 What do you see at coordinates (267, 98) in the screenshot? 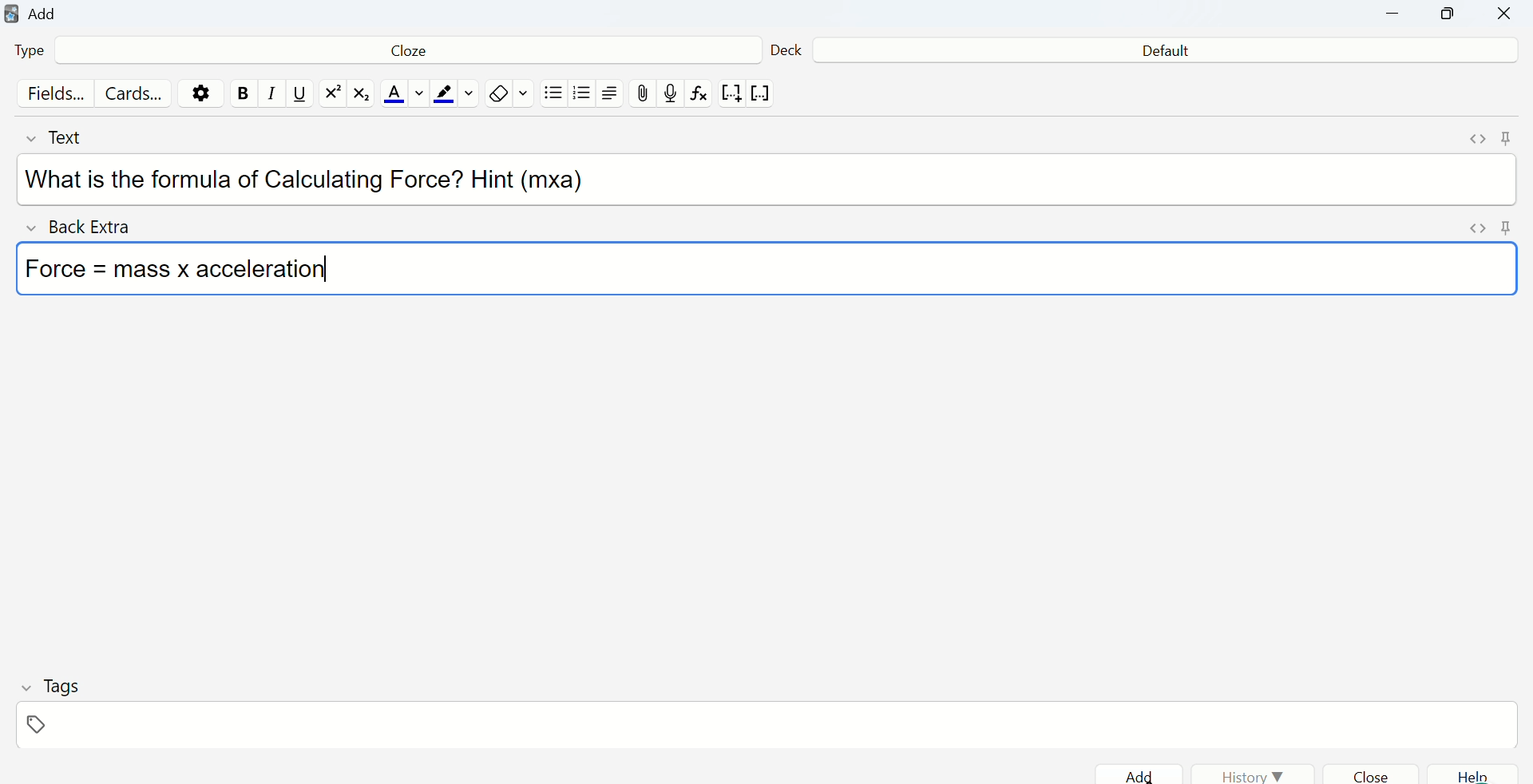
I see `Italics` at bounding box center [267, 98].